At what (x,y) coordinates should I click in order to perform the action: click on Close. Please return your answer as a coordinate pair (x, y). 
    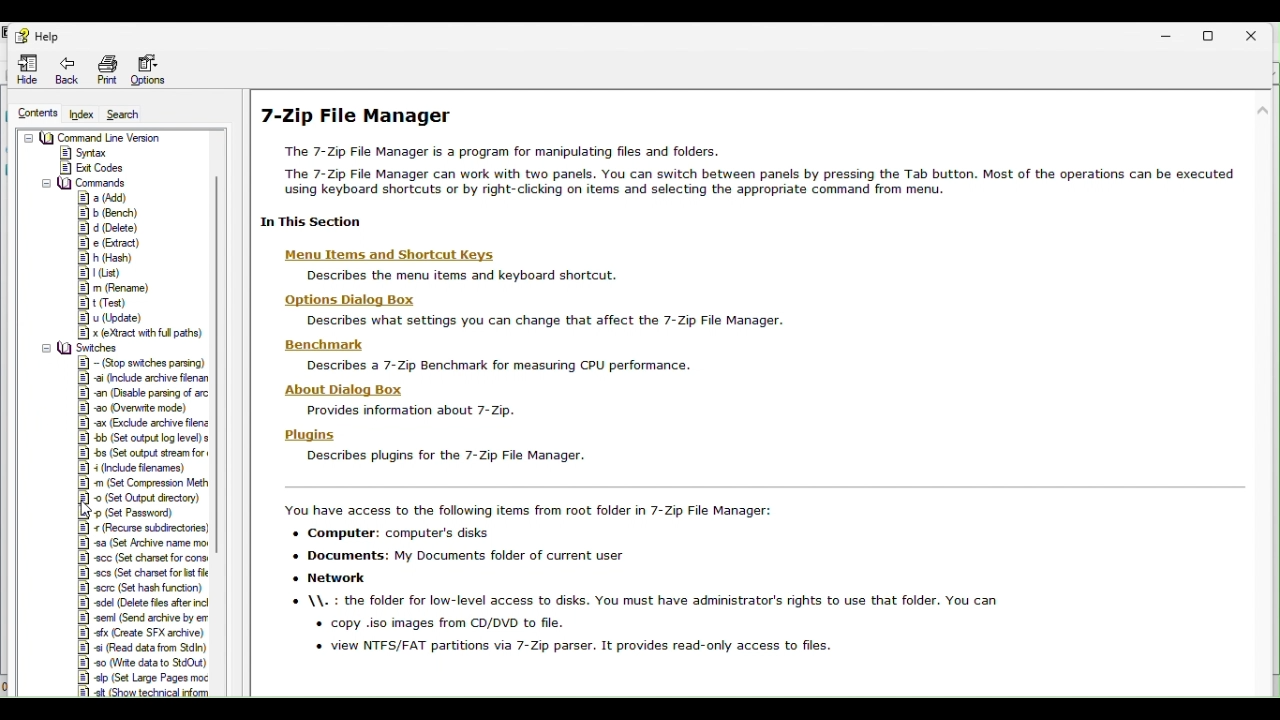
    Looking at the image, I should click on (1259, 31).